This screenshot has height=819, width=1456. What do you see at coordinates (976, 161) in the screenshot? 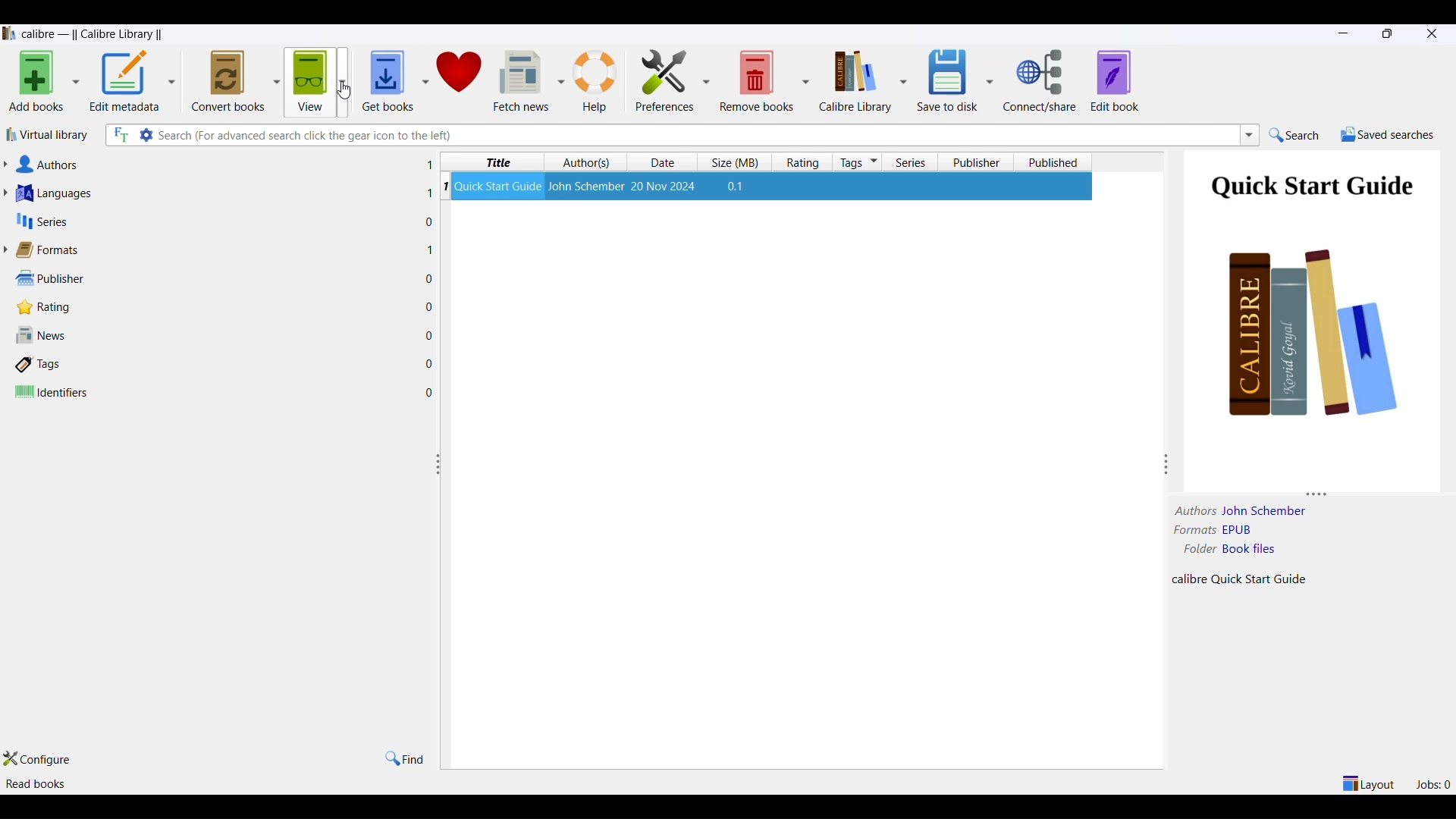
I see `publisher` at bounding box center [976, 161].